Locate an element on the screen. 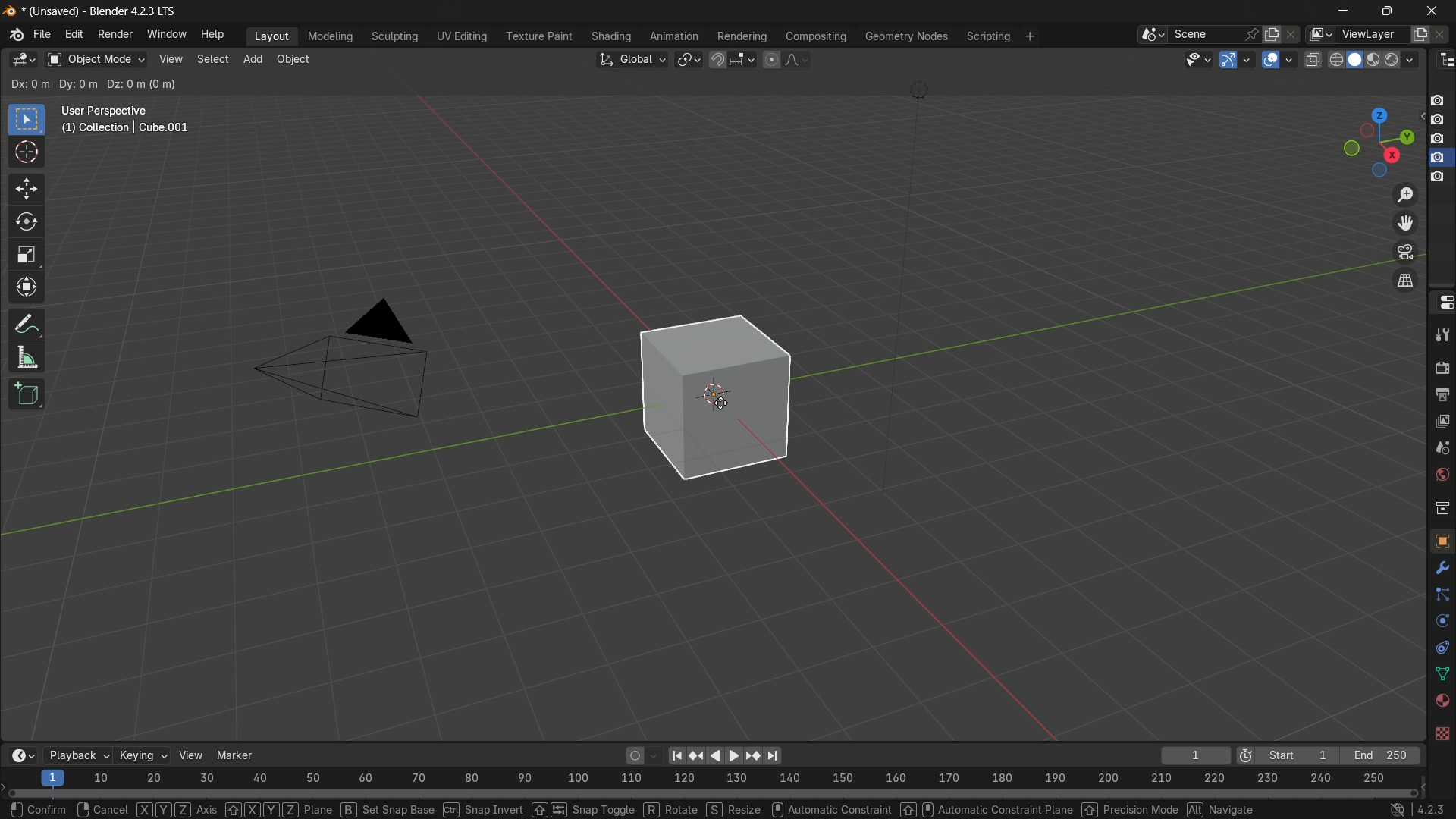 This screenshot has height=819, width=1456. render is located at coordinates (1442, 368).